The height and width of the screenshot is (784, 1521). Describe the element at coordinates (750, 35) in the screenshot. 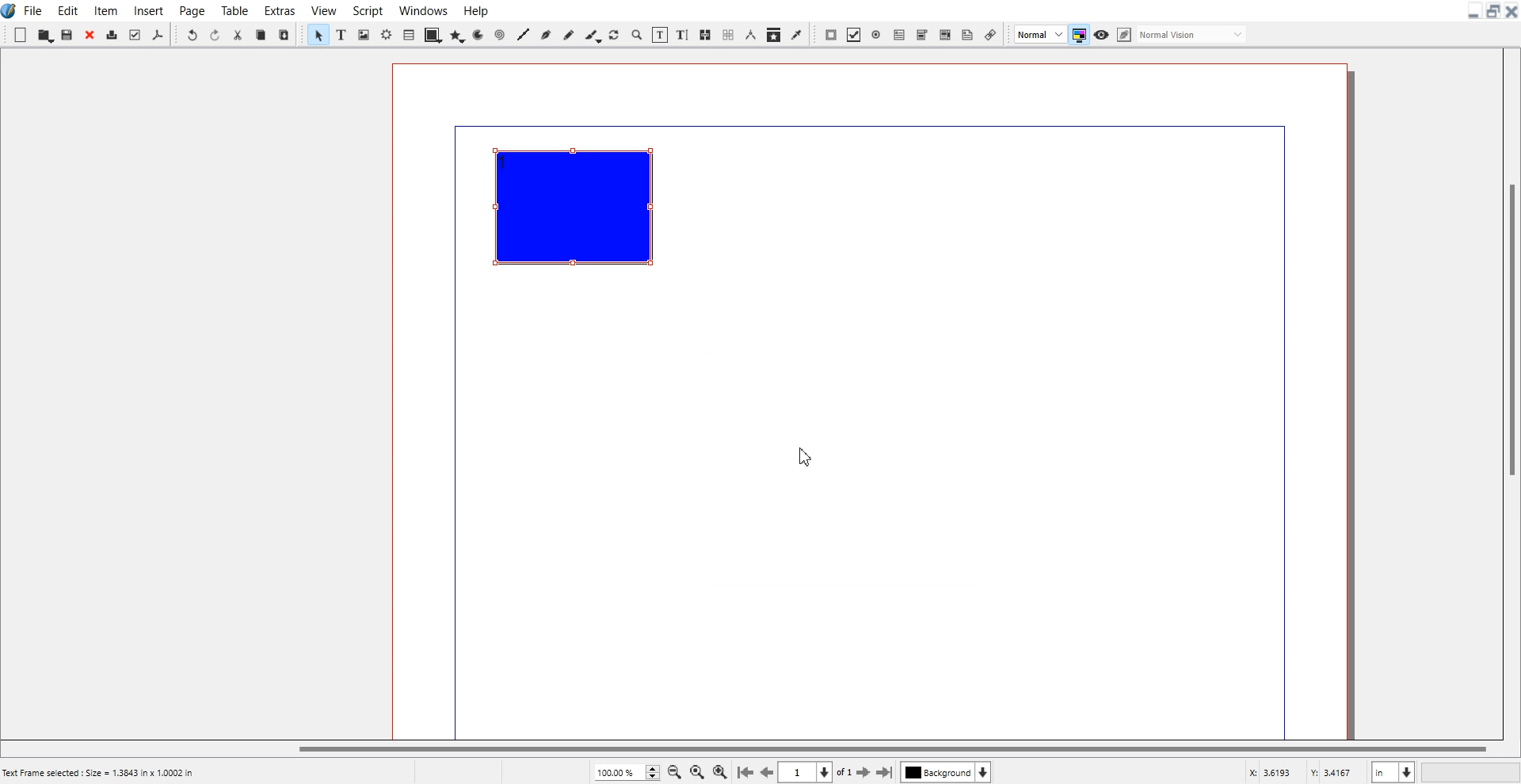

I see `Measurement` at that location.